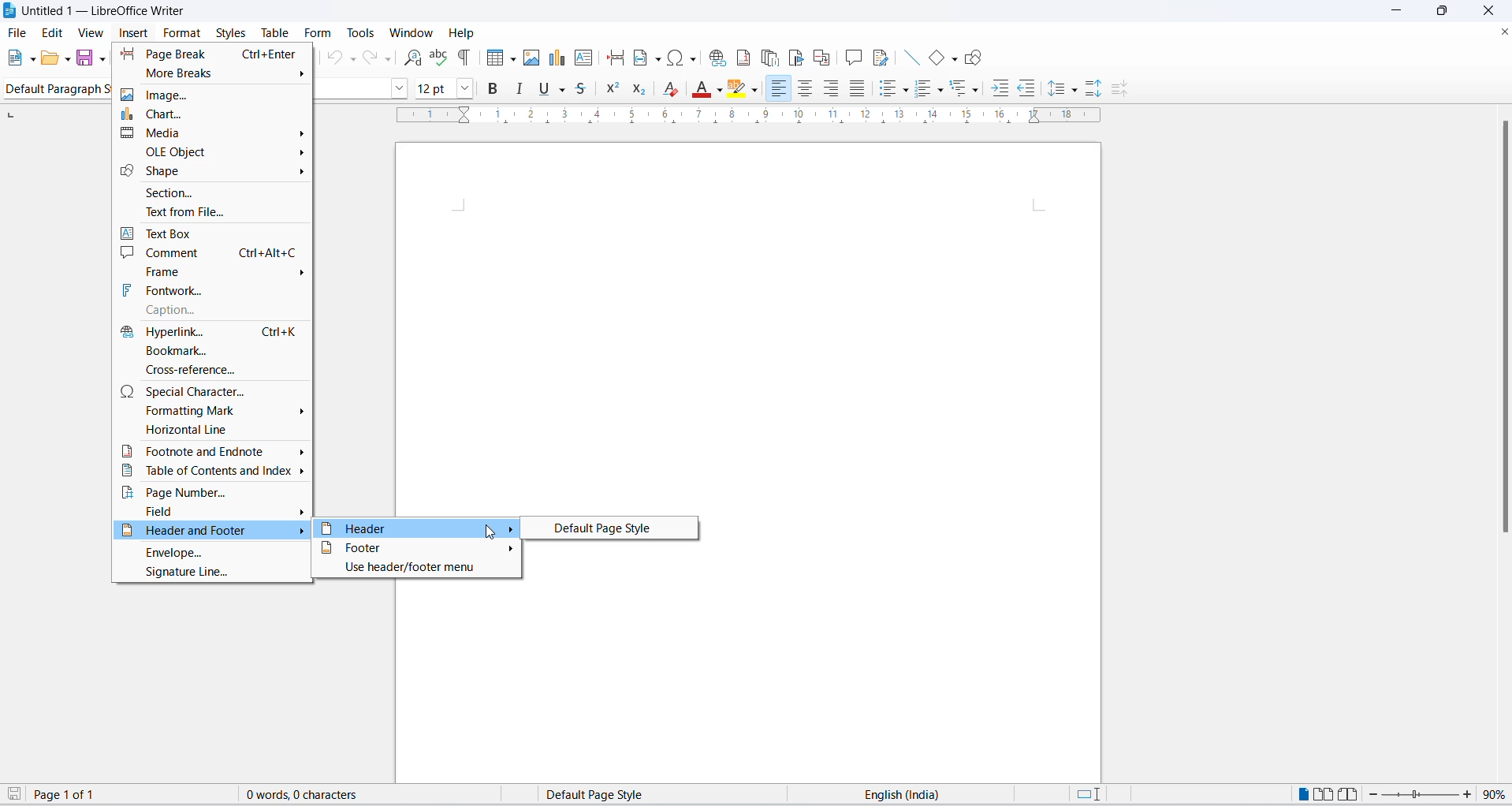 This screenshot has height=806, width=1512. I want to click on , so click(1492, 9).